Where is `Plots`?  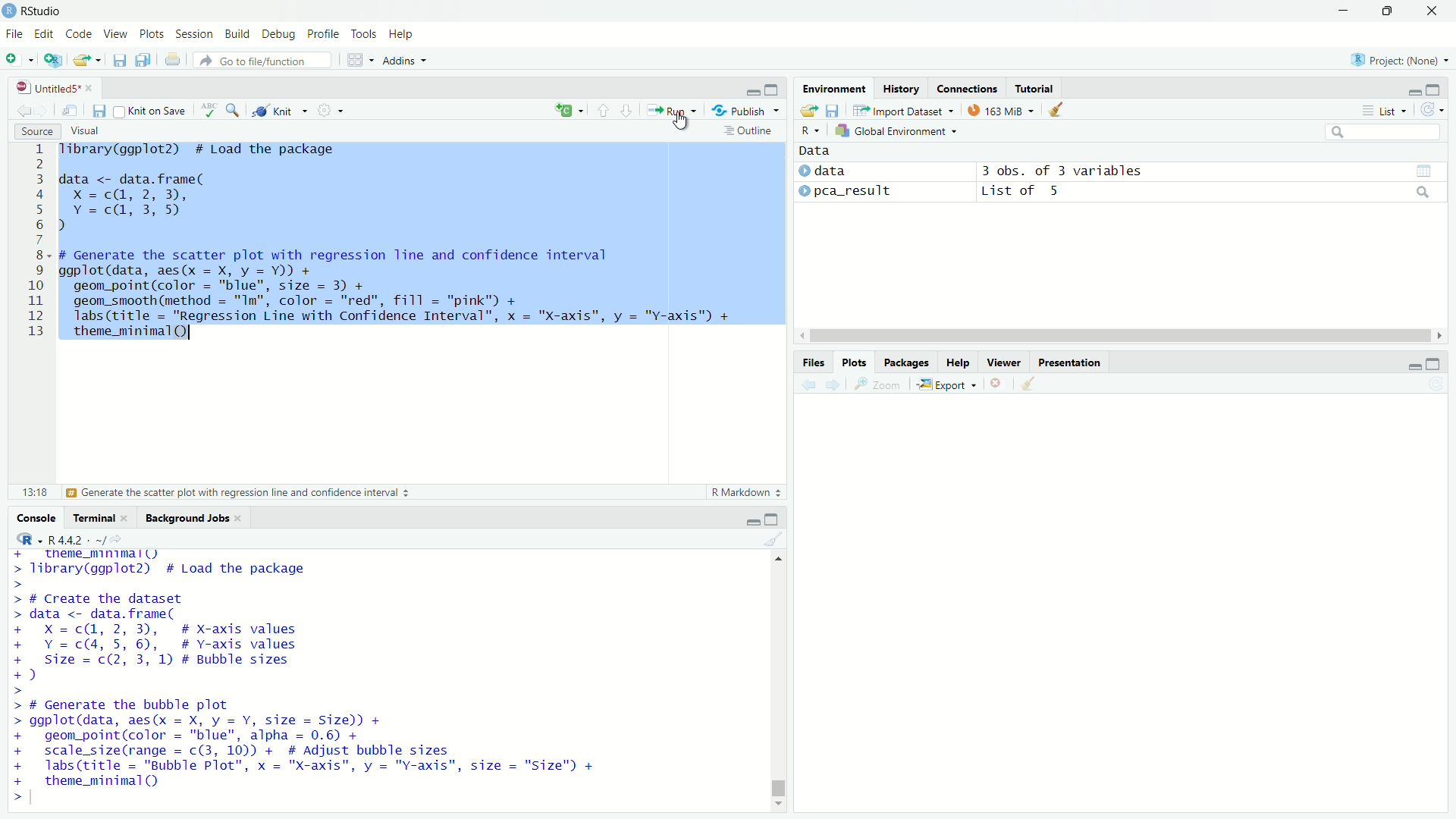
Plots is located at coordinates (151, 34).